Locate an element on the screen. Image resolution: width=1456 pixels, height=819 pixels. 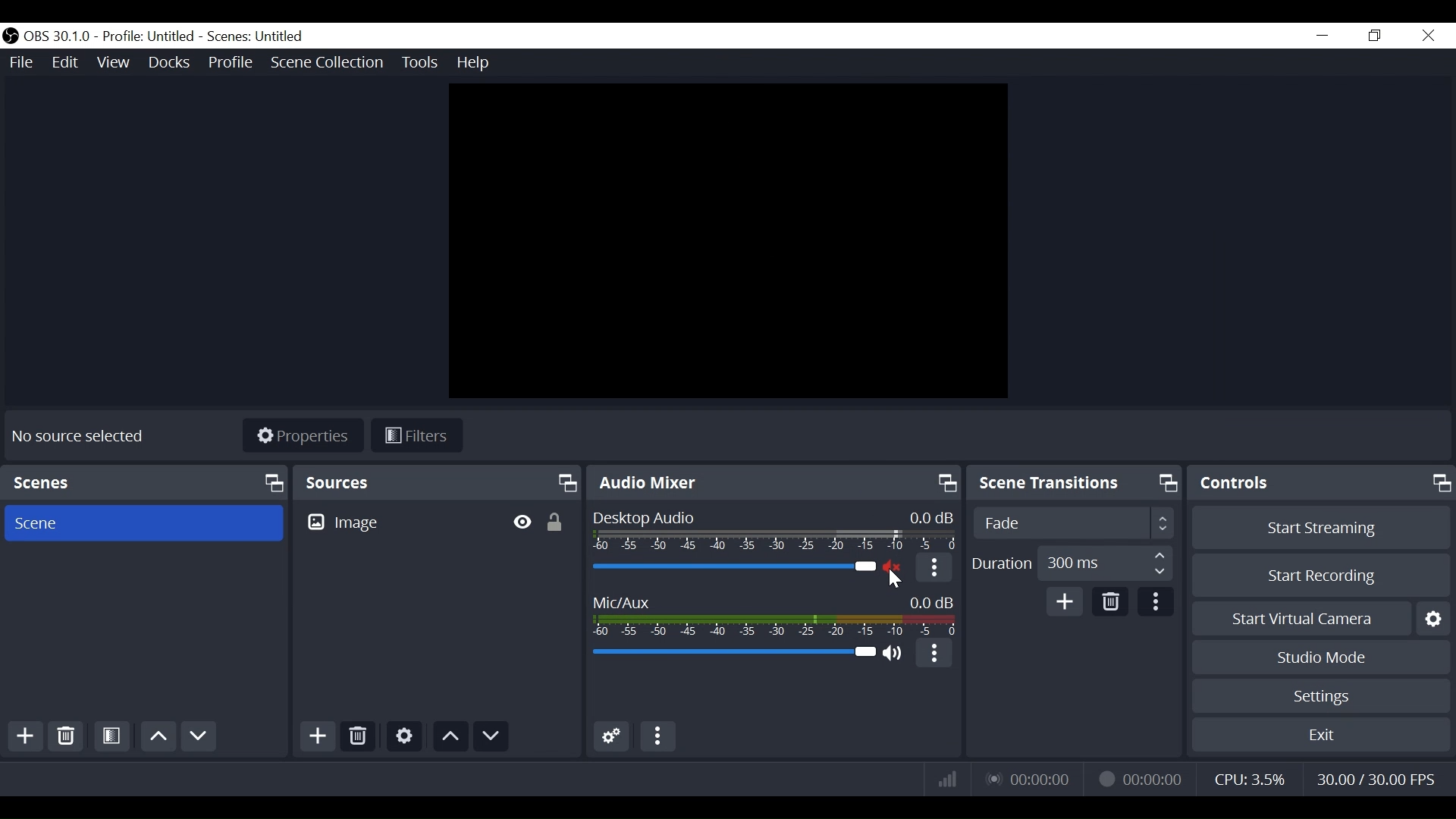
Mic/Aux Slider is located at coordinates (734, 654).